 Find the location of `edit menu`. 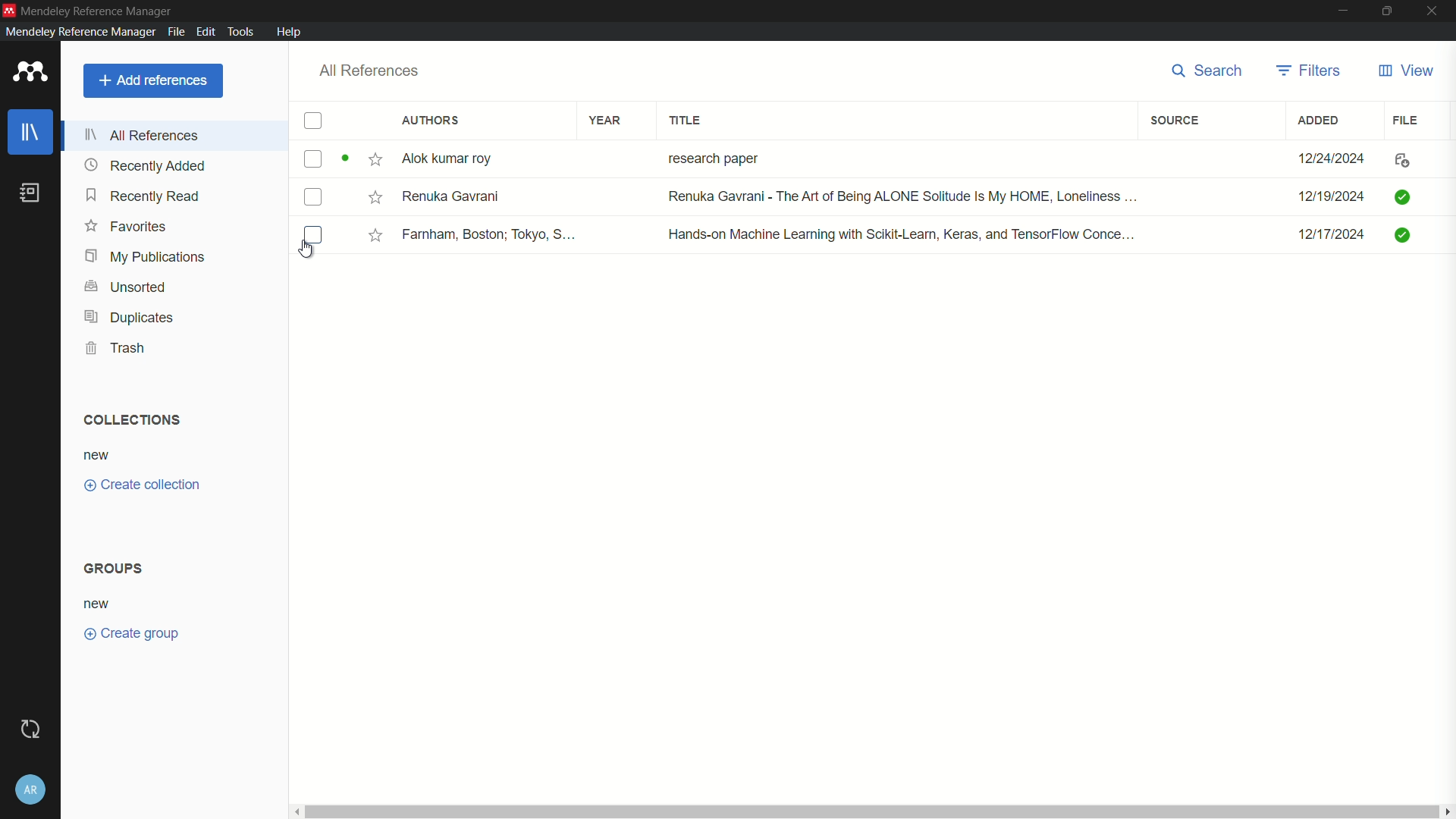

edit menu is located at coordinates (205, 31).